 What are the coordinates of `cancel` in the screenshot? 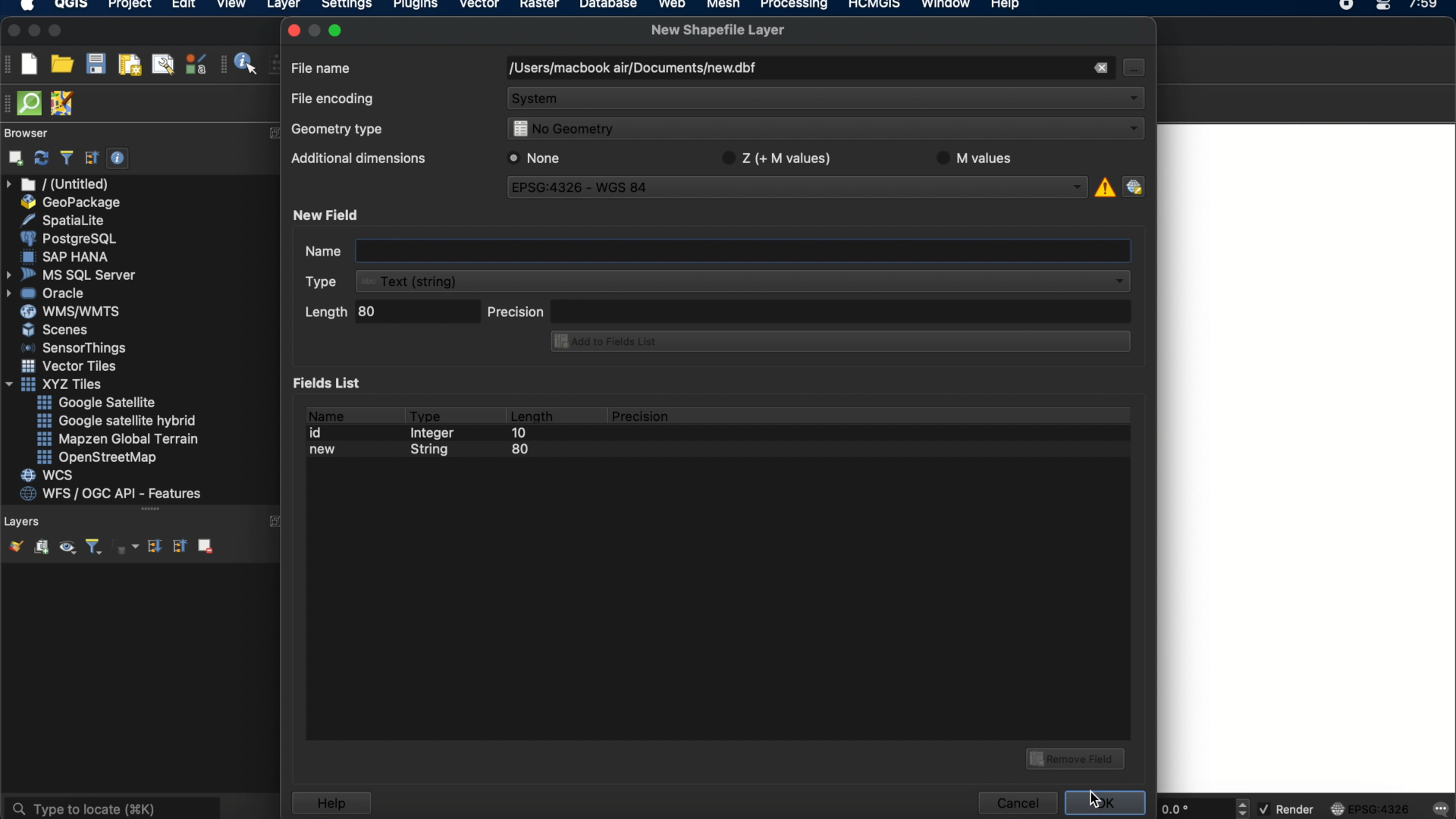 It's located at (1016, 803).